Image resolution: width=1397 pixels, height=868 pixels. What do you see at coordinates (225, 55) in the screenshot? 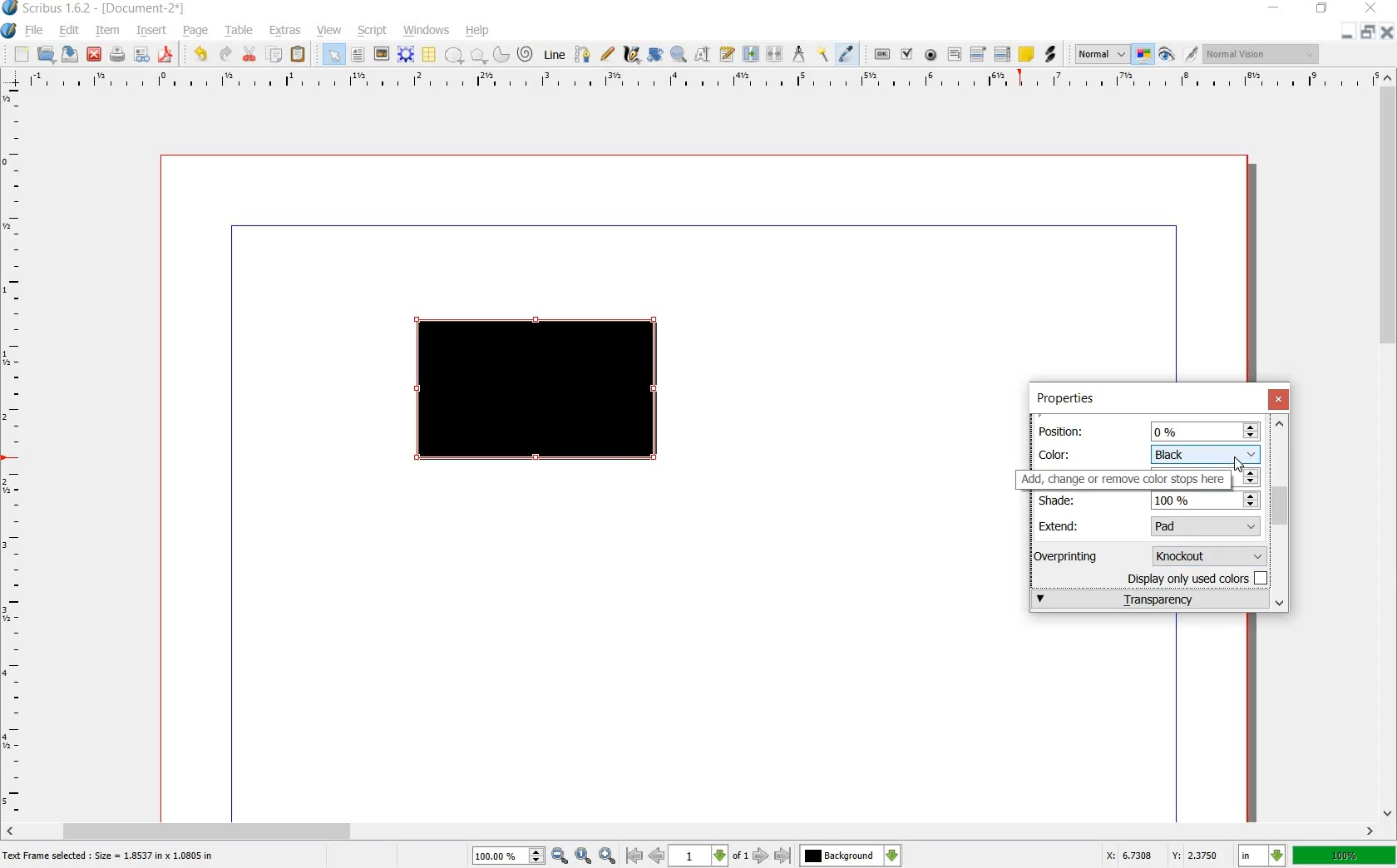
I see `redo` at bounding box center [225, 55].